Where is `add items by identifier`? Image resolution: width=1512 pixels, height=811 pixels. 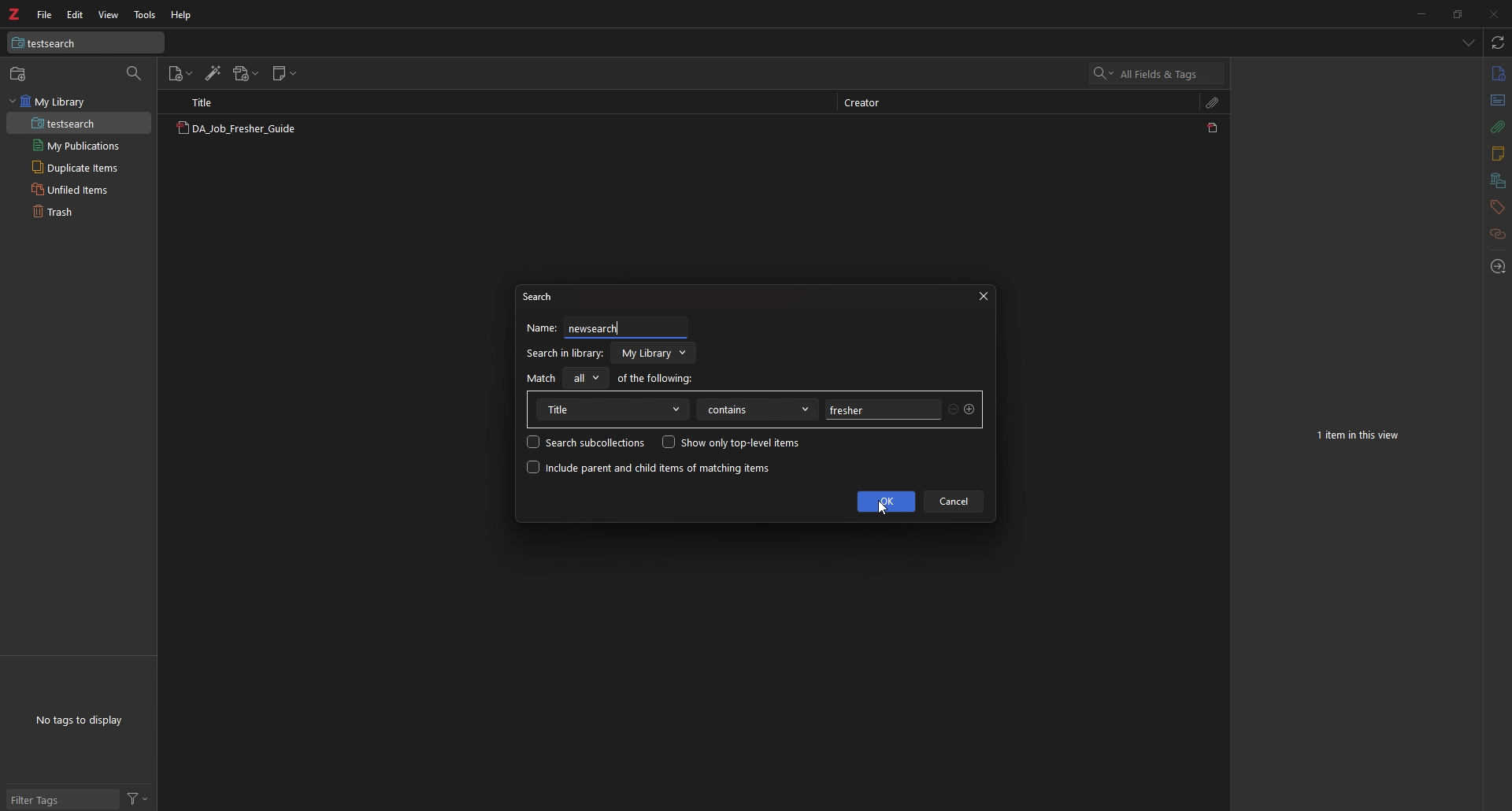 add items by identifier is located at coordinates (213, 73).